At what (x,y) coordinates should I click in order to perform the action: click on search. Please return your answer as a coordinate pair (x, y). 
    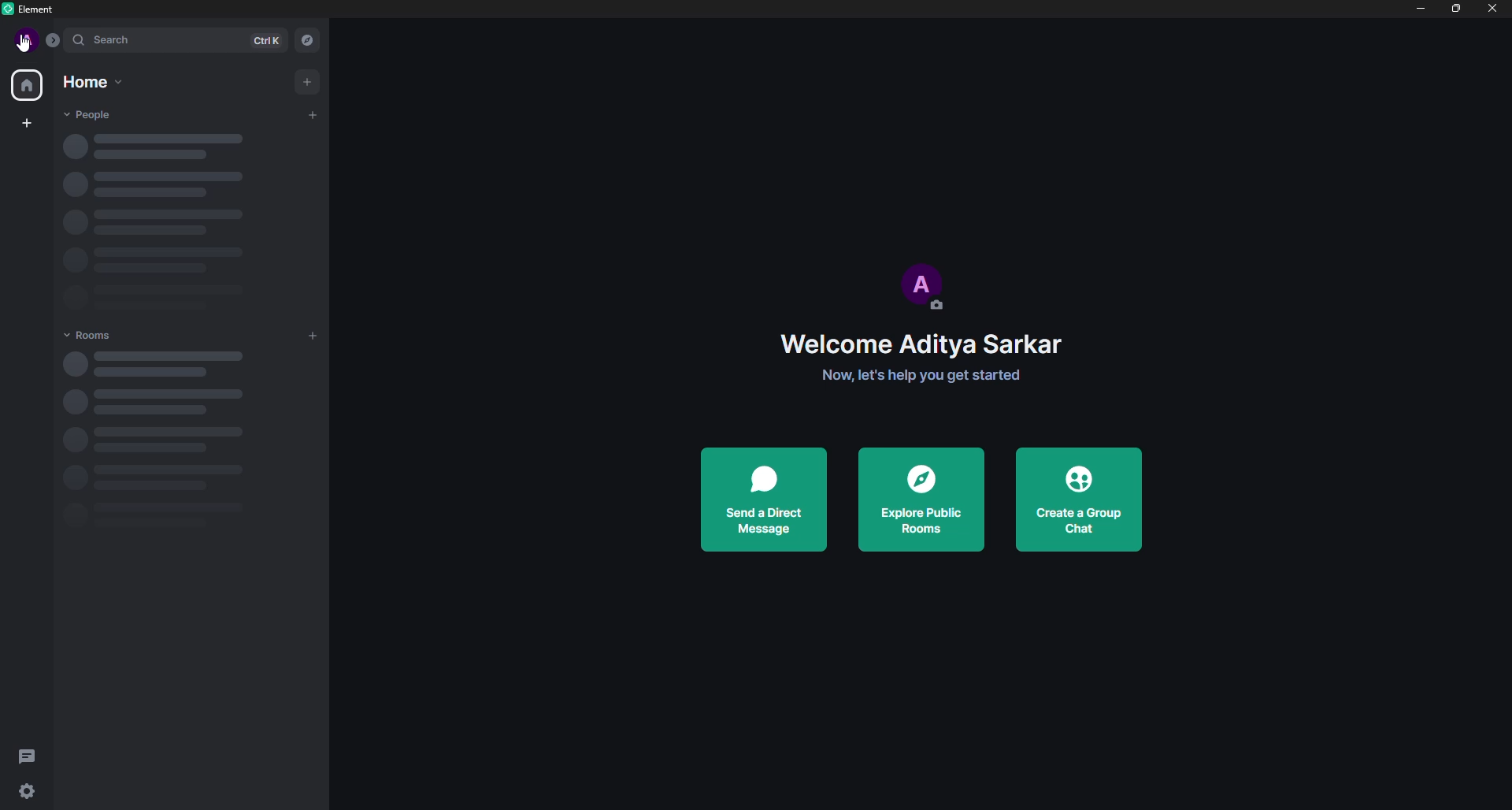
    Looking at the image, I should click on (177, 44).